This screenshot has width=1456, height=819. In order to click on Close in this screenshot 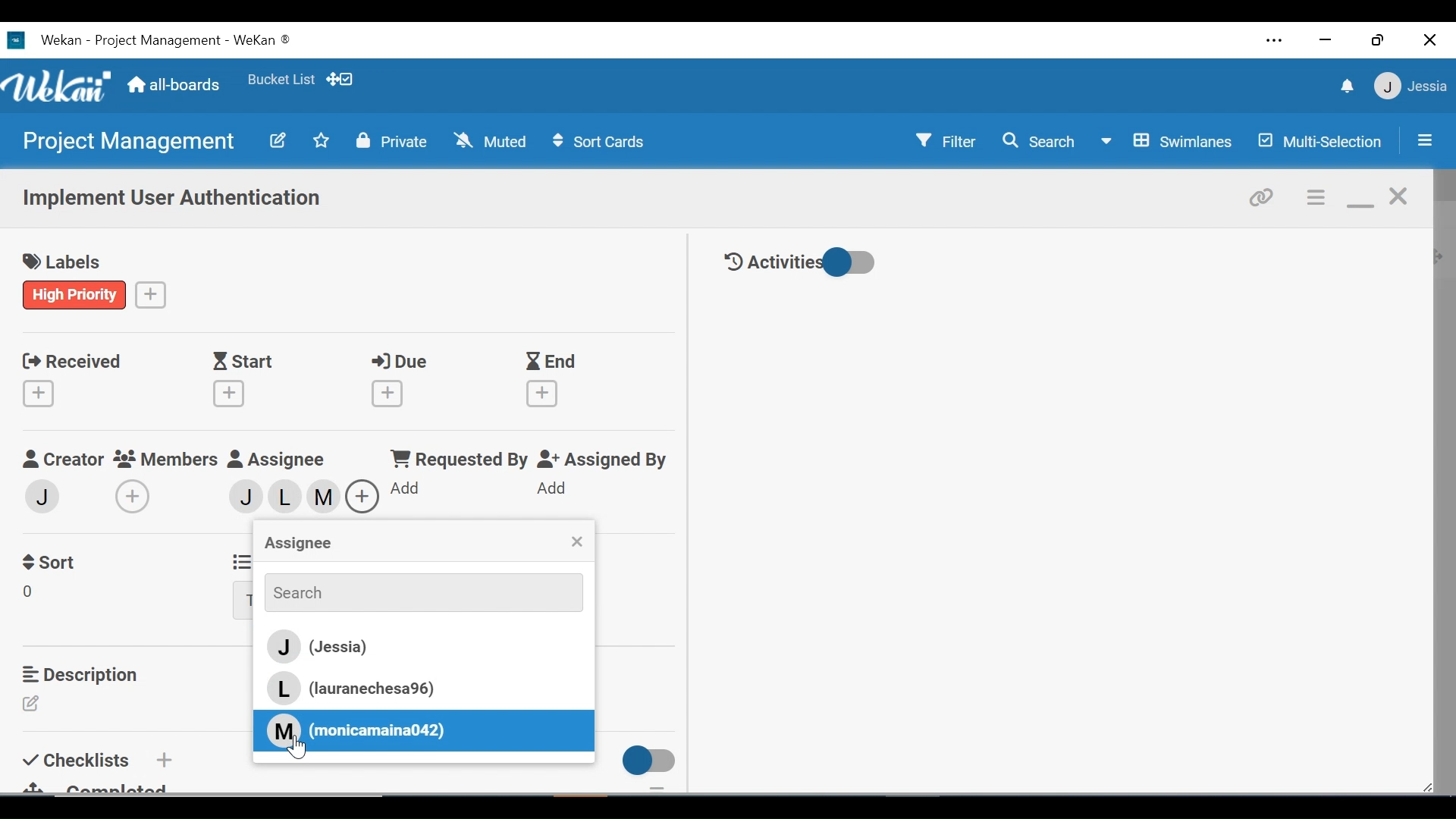, I will do `click(576, 543)`.